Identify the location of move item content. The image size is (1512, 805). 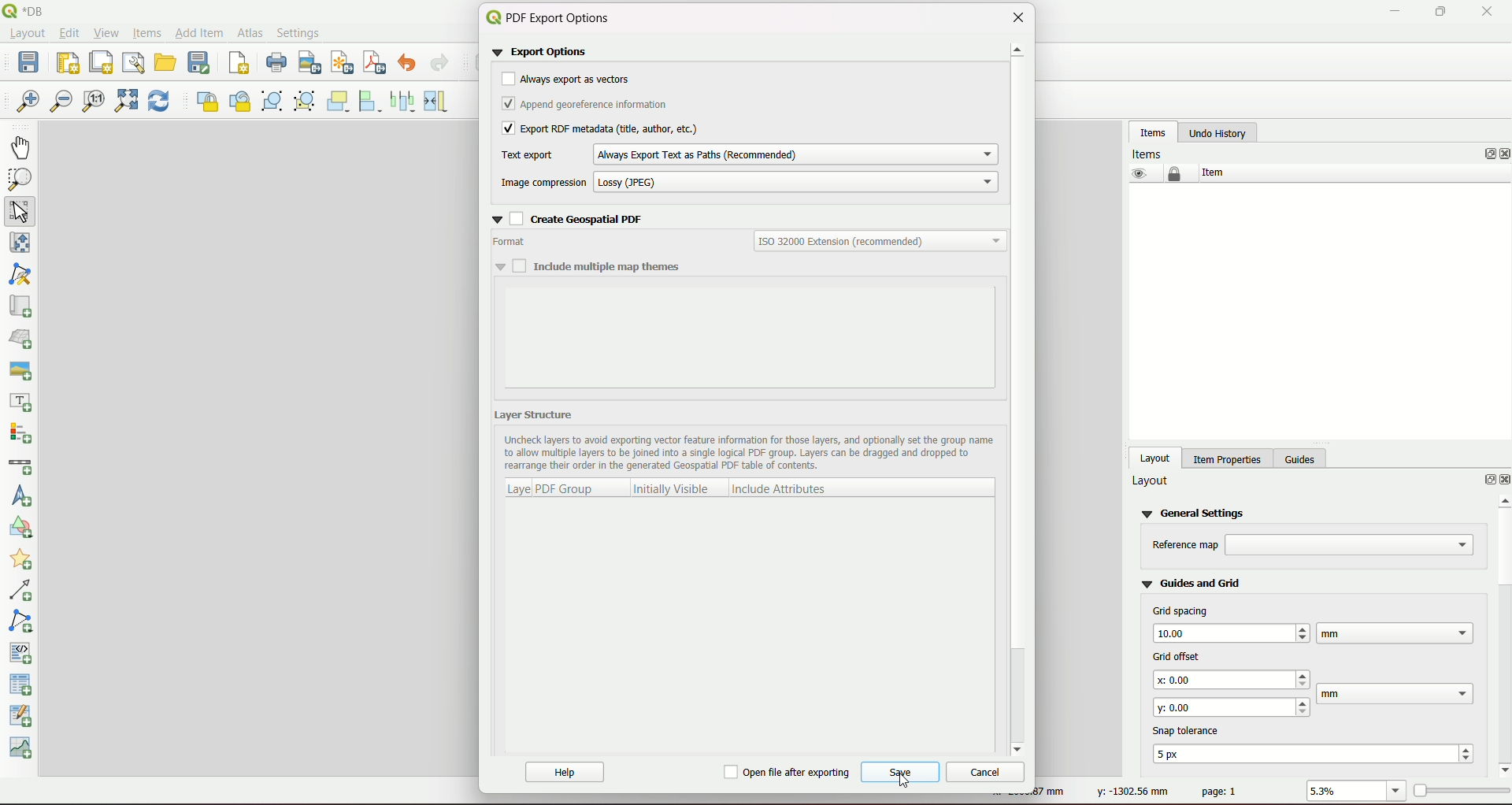
(20, 245).